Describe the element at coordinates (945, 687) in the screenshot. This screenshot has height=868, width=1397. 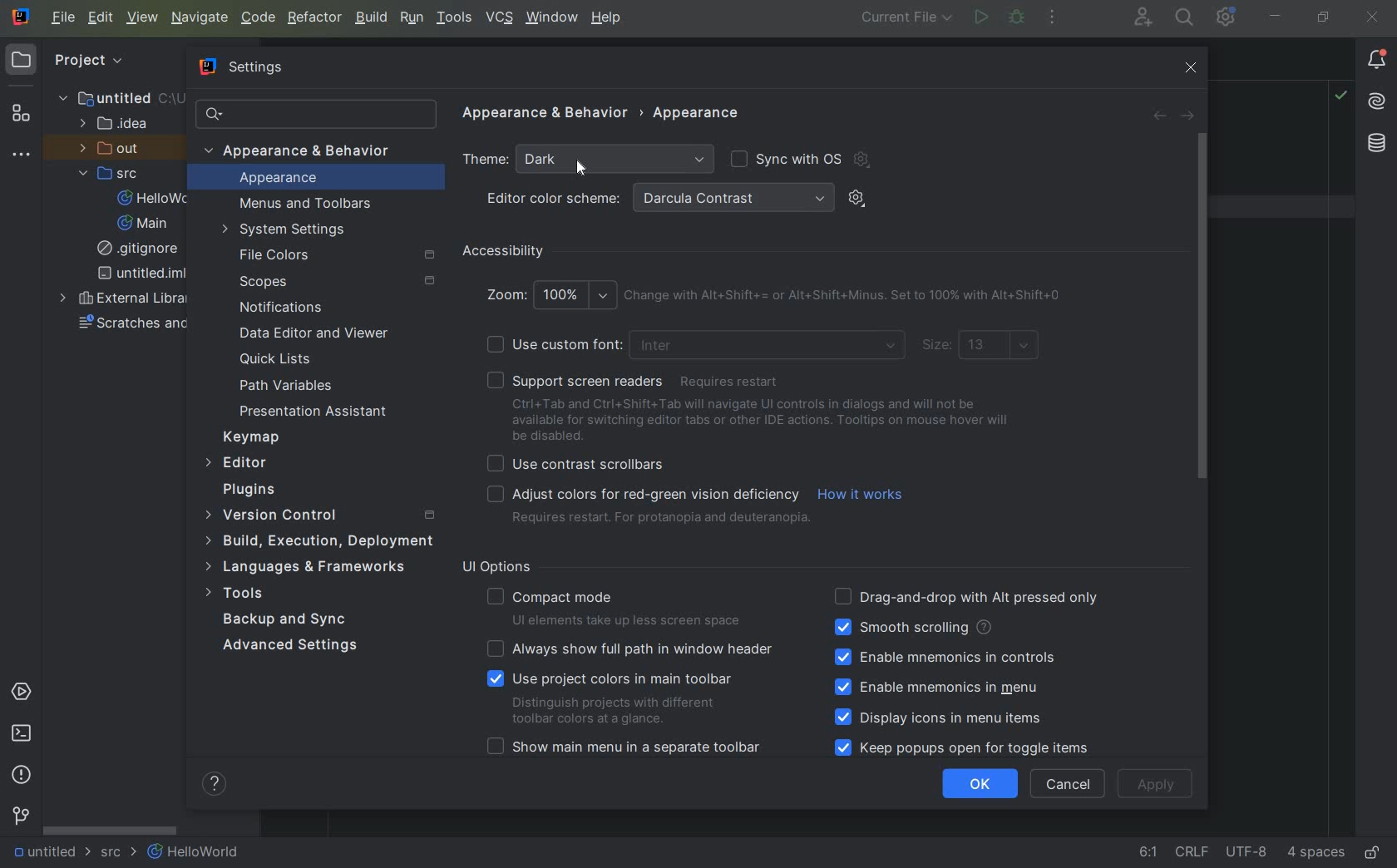
I see `enable mnemonics in menu(checked)` at that location.